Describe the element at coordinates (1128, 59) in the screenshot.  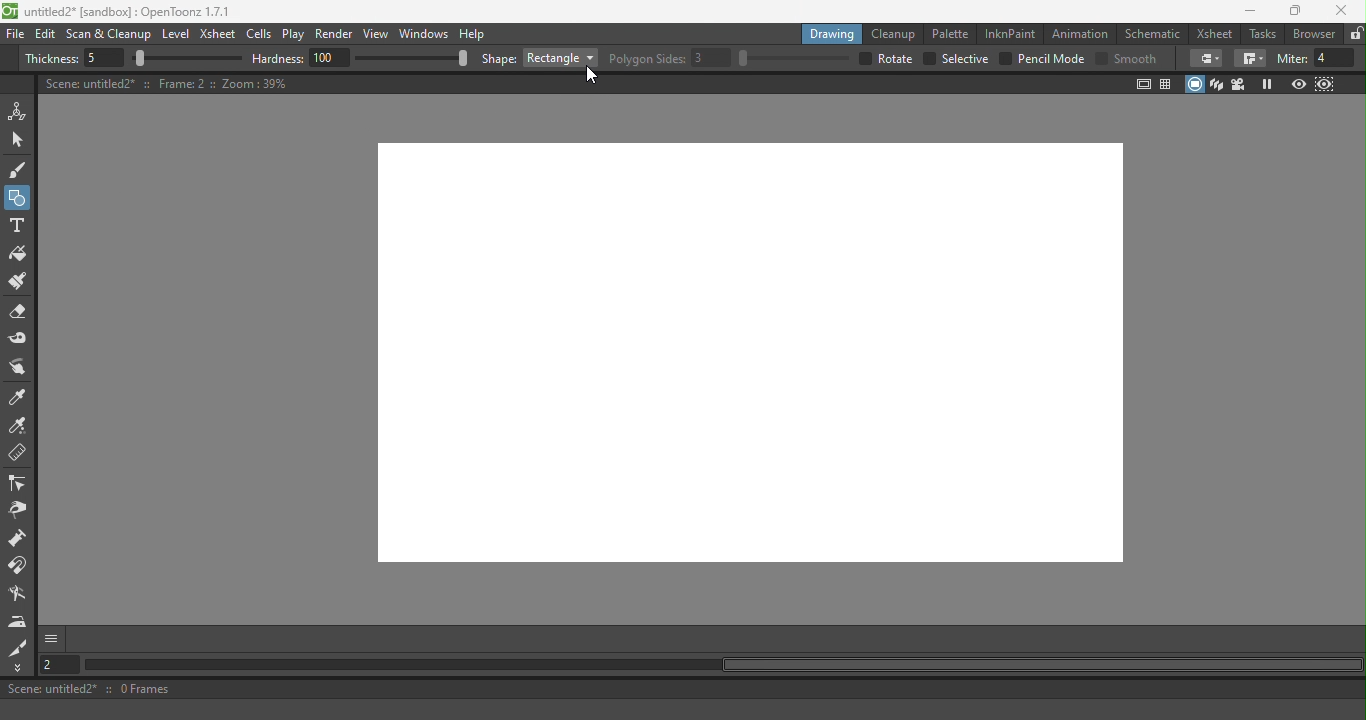
I see `Smooth` at that location.